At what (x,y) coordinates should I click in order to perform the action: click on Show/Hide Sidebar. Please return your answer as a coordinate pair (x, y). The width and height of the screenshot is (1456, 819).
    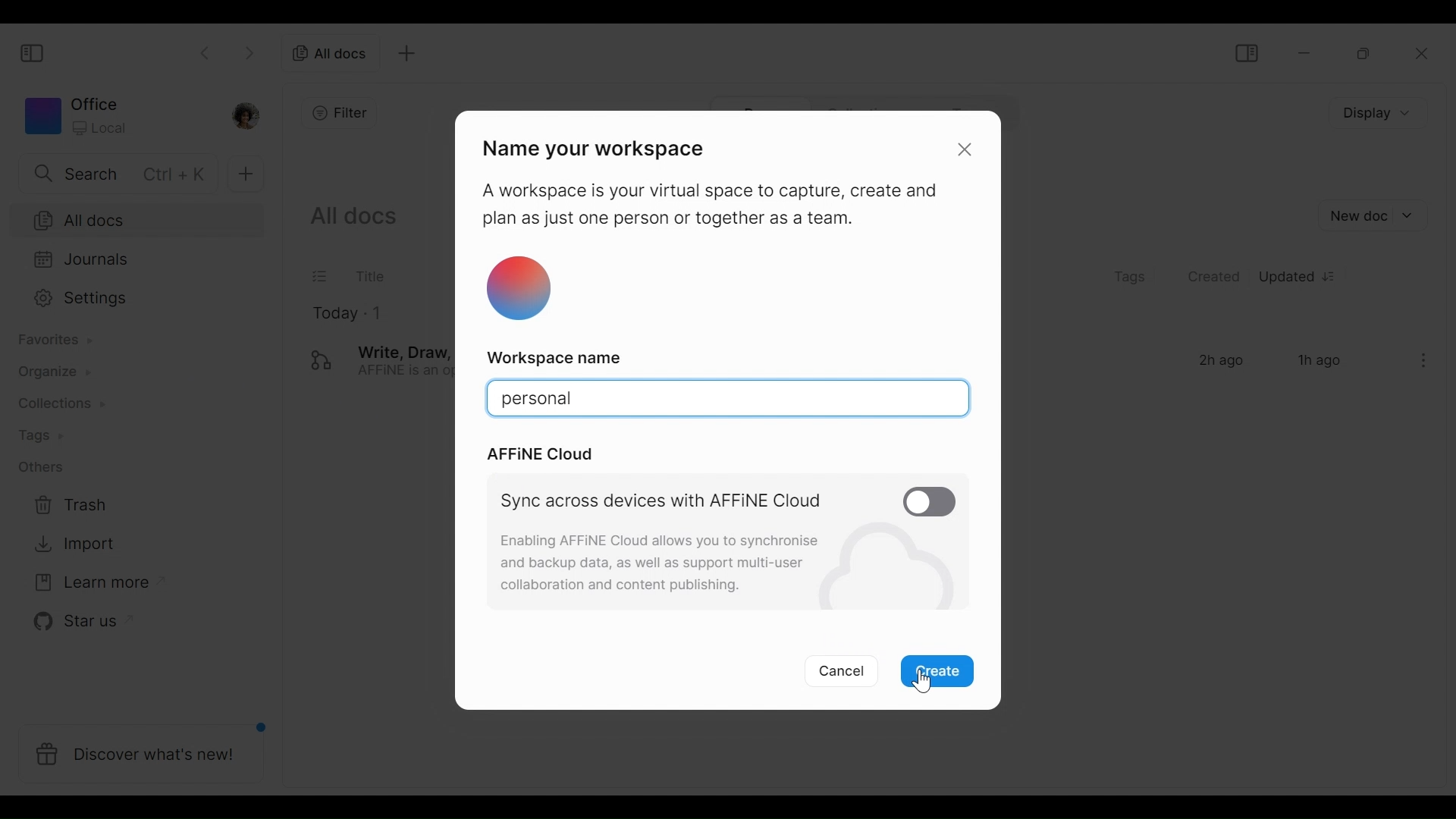
    Looking at the image, I should click on (33, 50).